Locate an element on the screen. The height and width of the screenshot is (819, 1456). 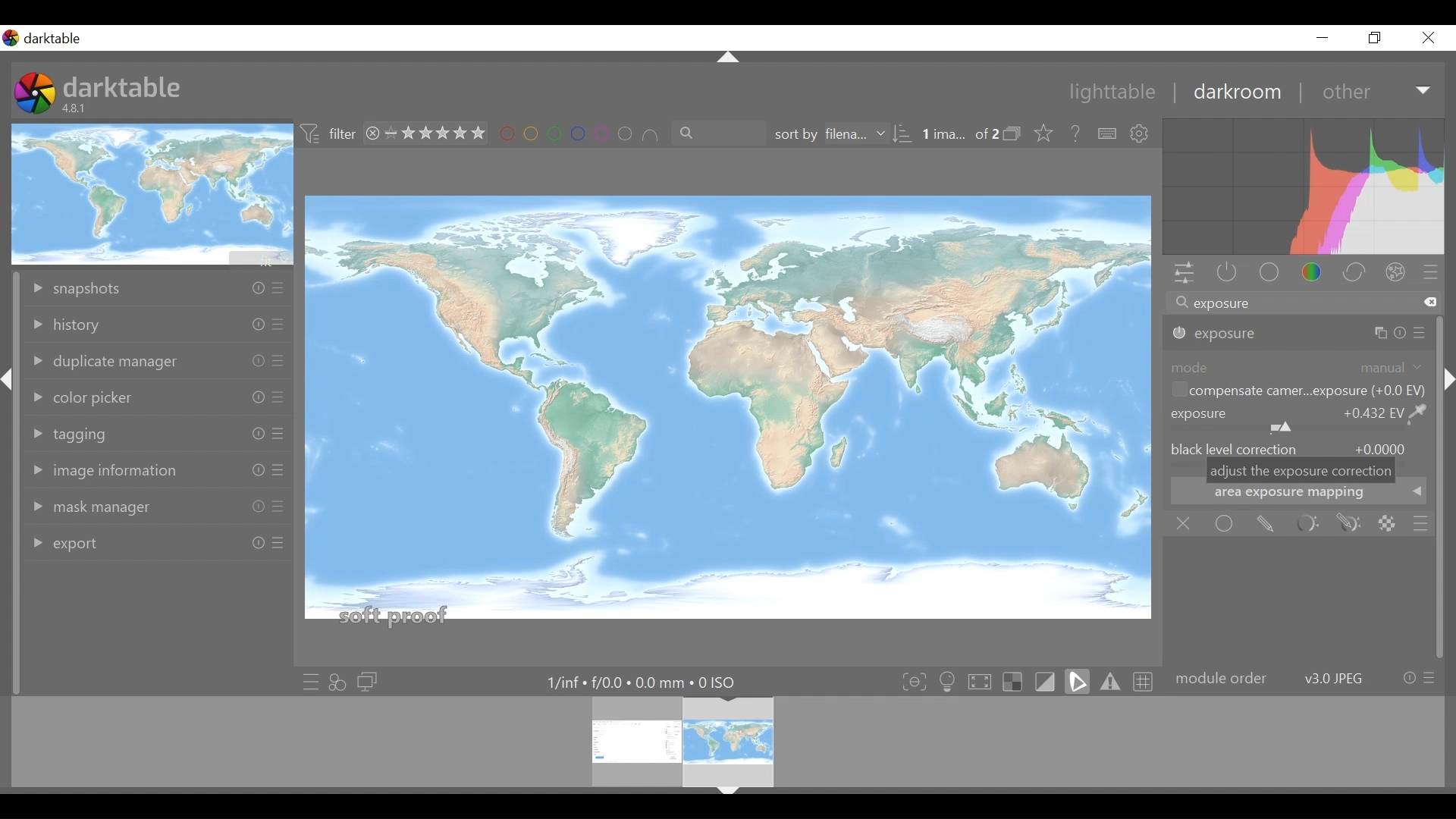
image preview is located at coordinates (154, 193).